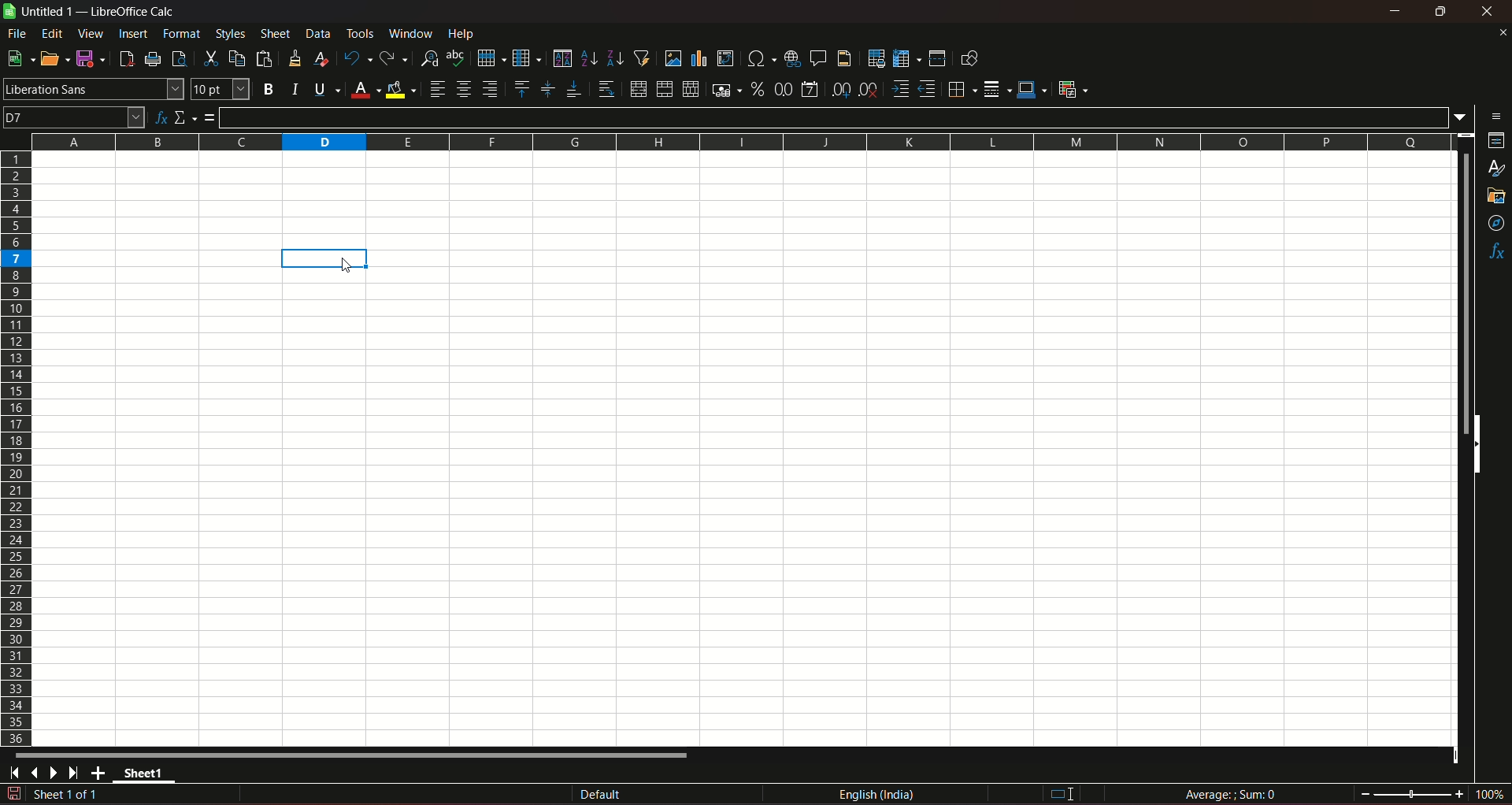 The height and width of the screenshot is (805, 1512). I want to click on formula, so click(210, 117).